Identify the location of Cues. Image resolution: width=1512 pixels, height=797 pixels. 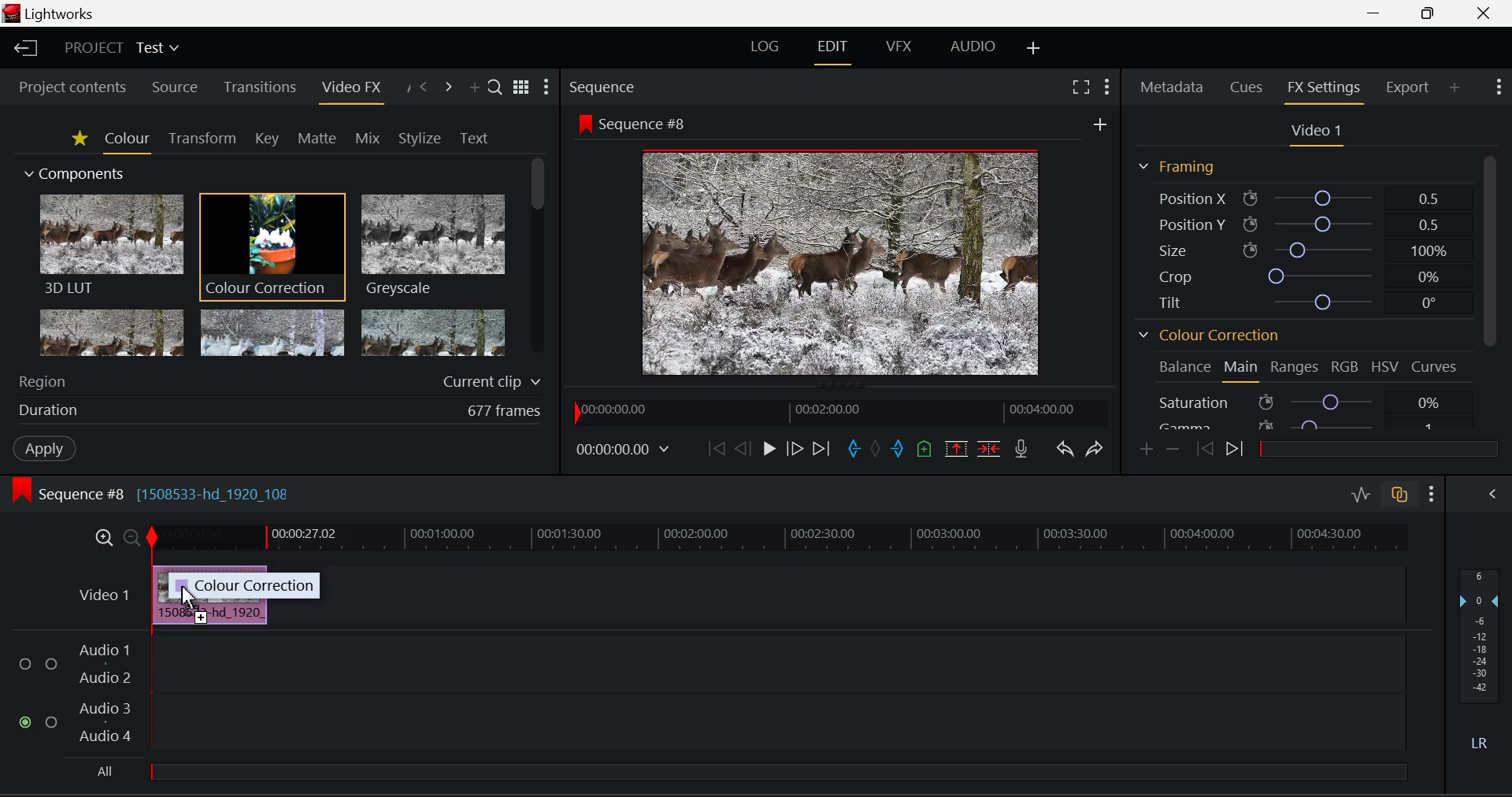
(1246, 87).